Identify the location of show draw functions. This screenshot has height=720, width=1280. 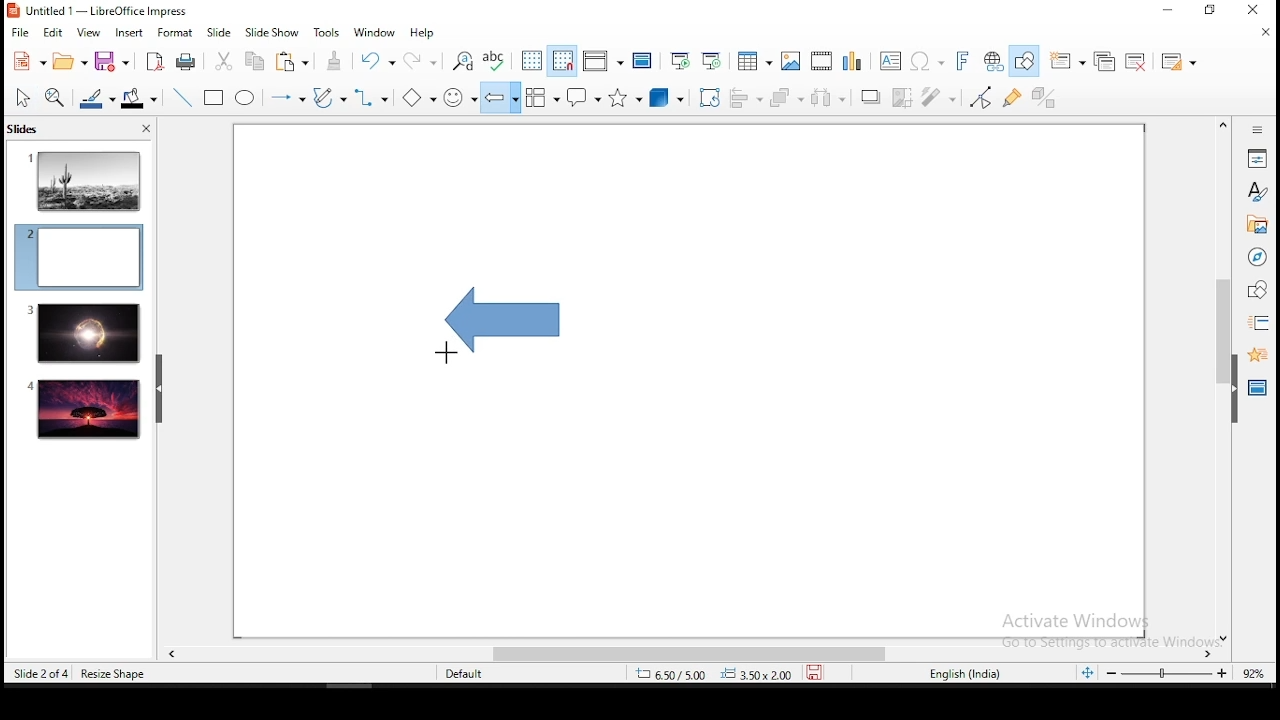
(1026, 61).